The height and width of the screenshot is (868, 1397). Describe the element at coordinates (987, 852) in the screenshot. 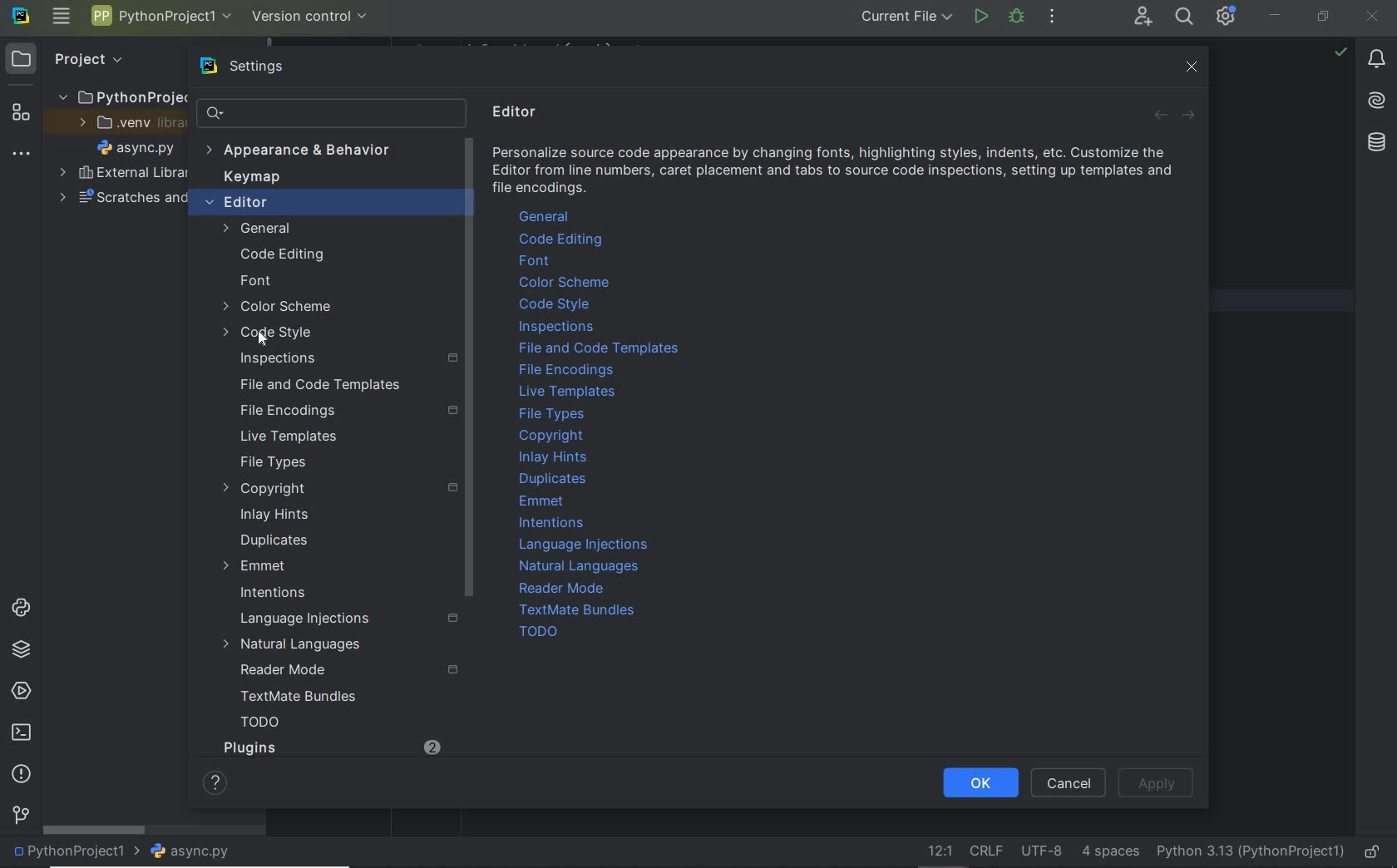

I see `line separator` at that location.